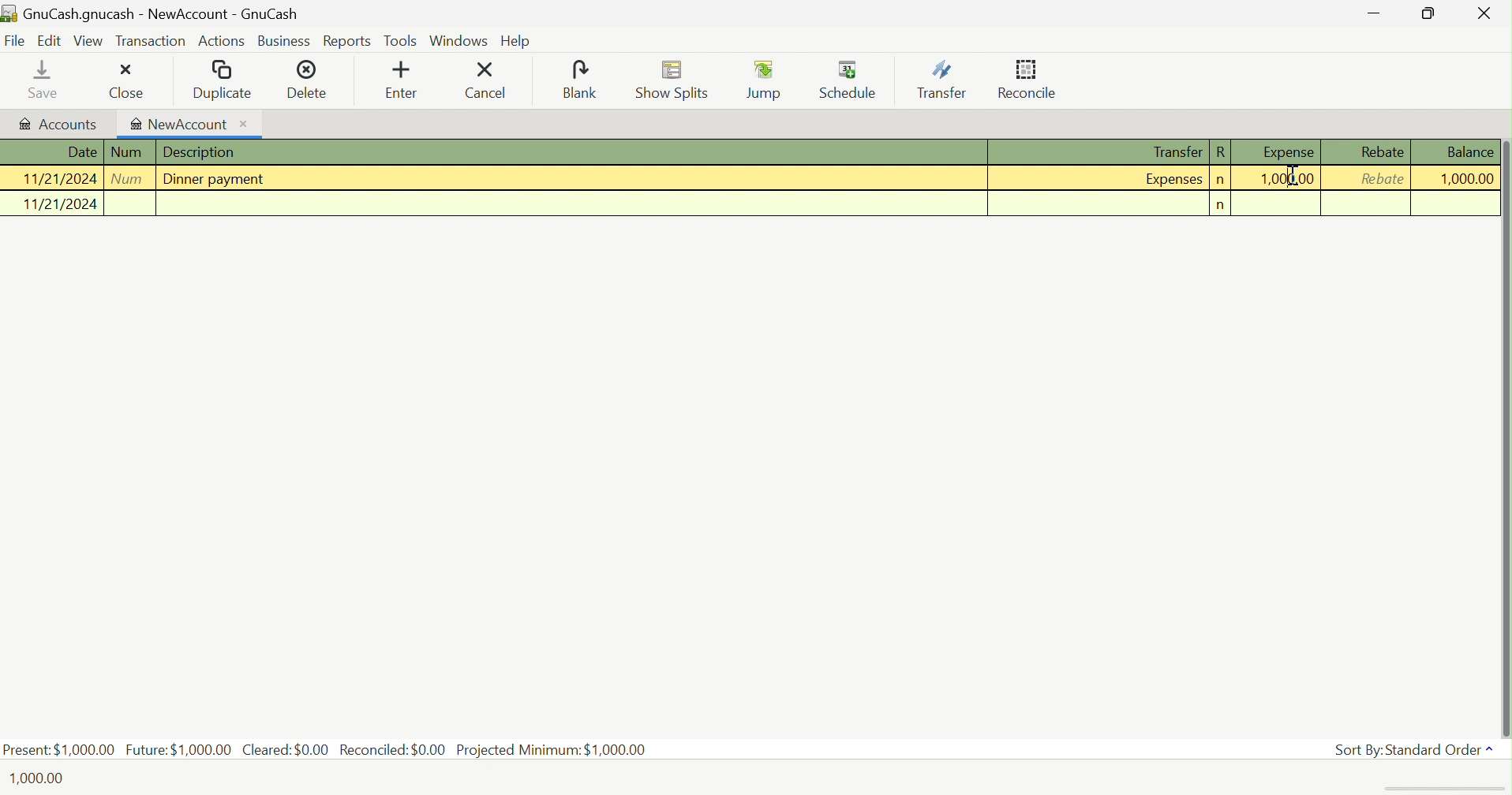 The image size is (1512, 795). Describe the element at coordinates (223, 43) in the screenshot. I see `Actions` at that location.